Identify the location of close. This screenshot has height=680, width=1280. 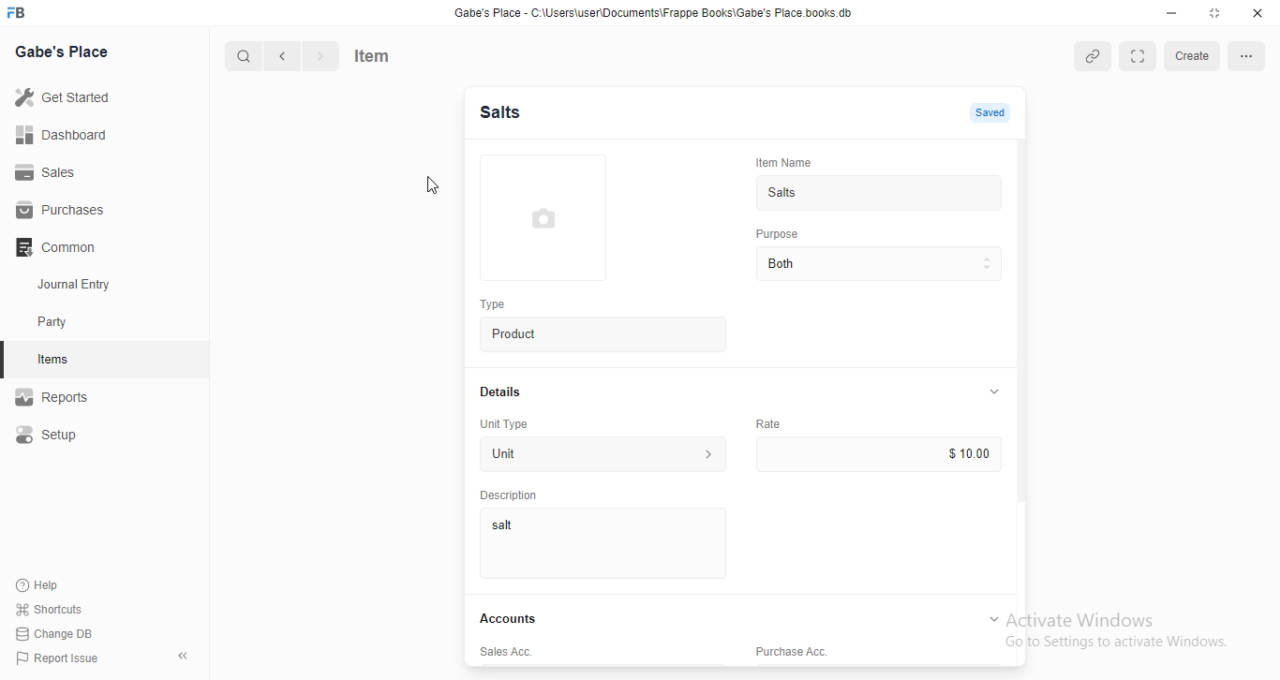
(1258, 13).